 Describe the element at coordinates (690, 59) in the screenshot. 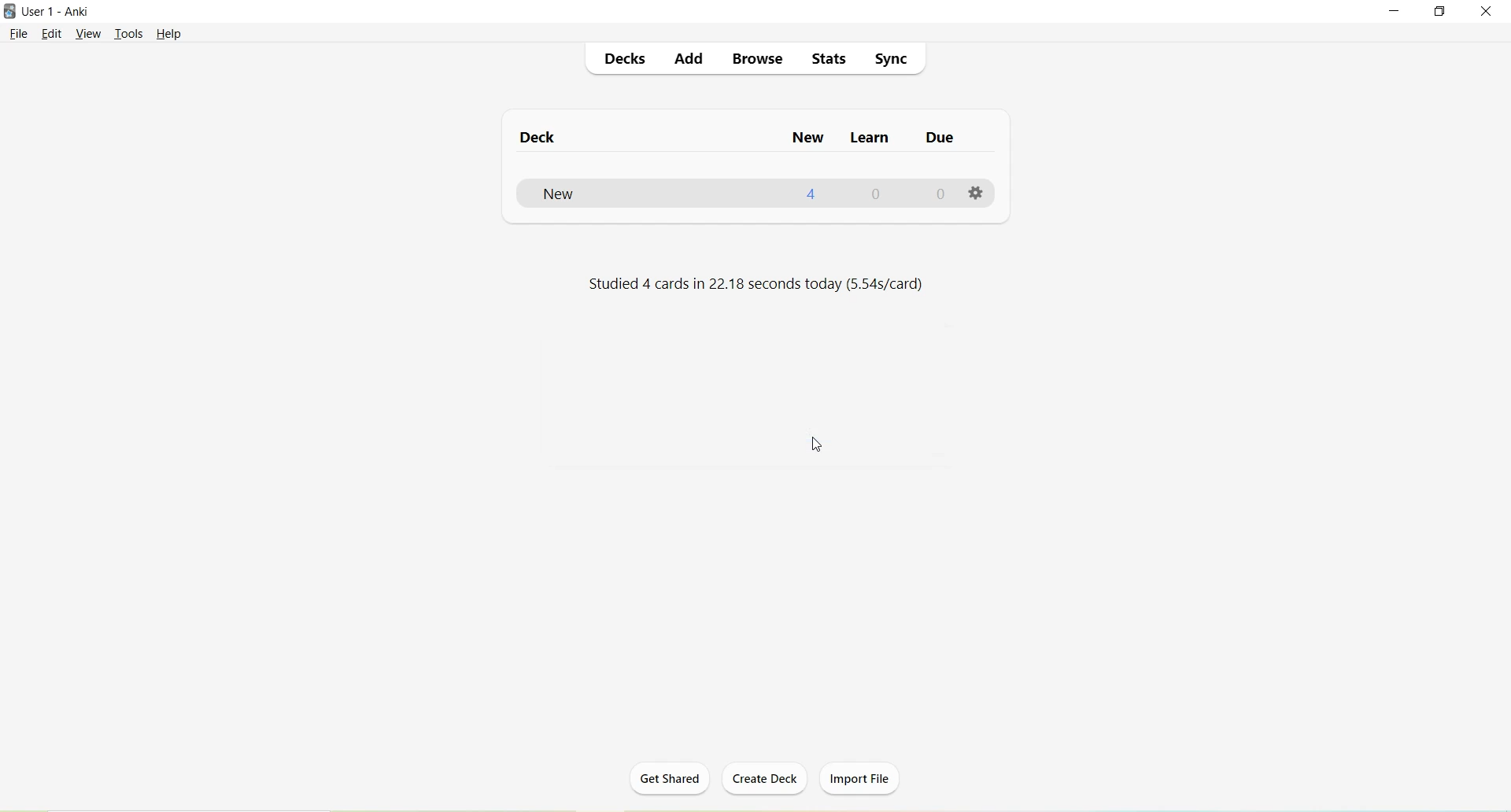

I see `Add` at that location.